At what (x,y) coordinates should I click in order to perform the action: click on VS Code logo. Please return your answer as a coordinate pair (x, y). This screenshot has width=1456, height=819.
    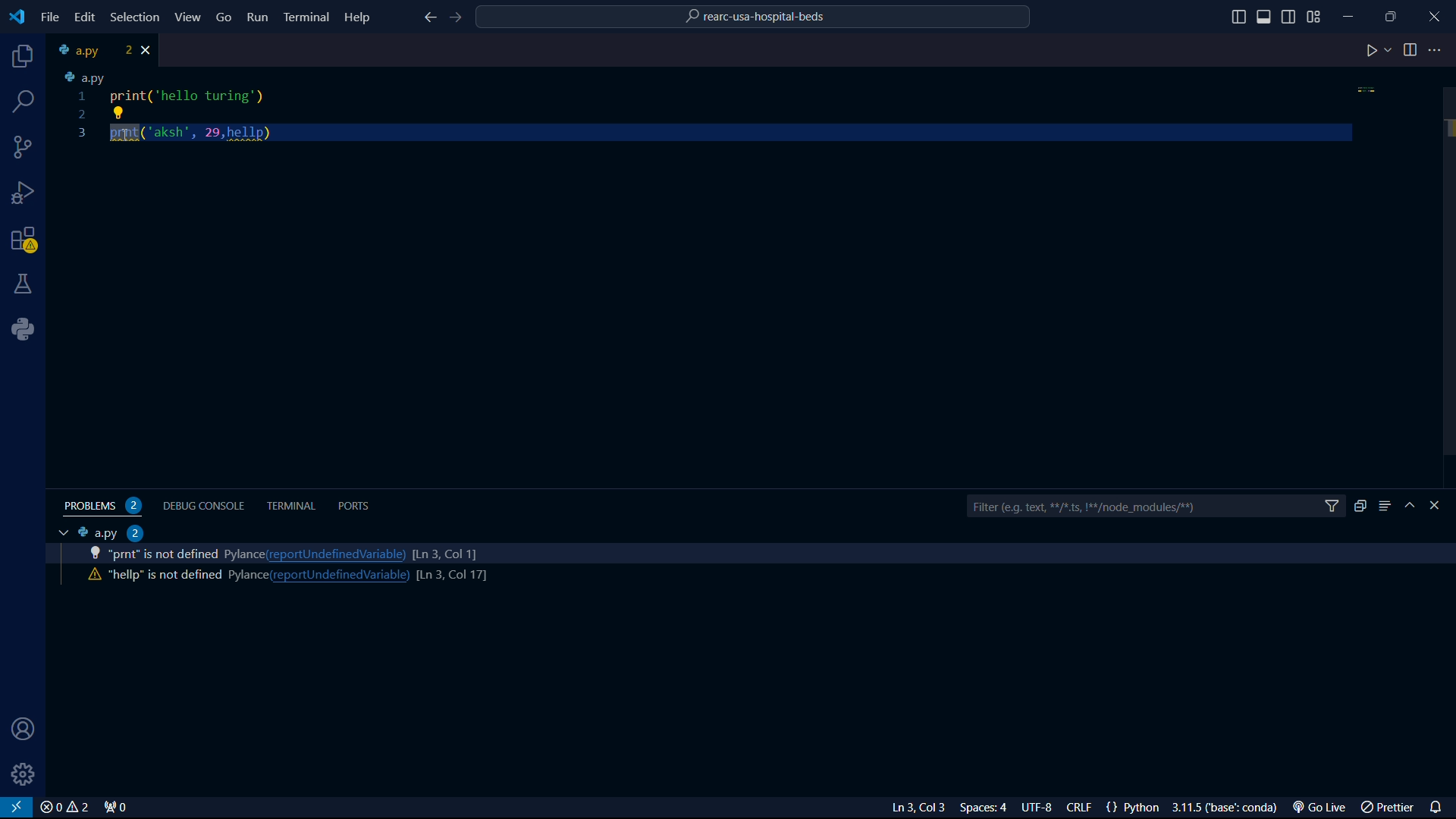
    Looking at the image, I should click on (15, 15).